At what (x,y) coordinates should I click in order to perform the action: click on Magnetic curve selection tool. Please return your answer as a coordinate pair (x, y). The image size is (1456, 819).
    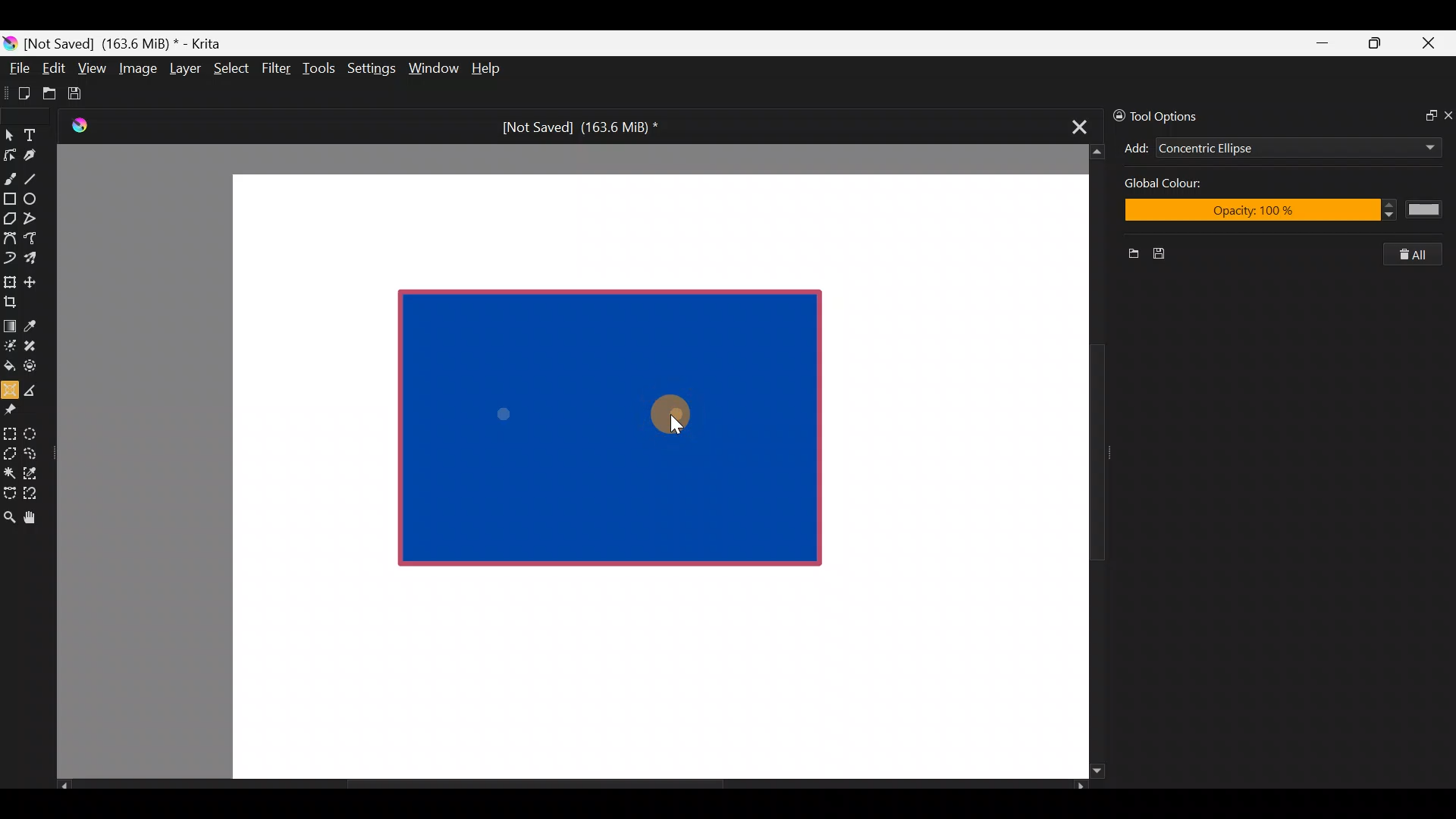
    Looking at the image, I should click on (35, 494).